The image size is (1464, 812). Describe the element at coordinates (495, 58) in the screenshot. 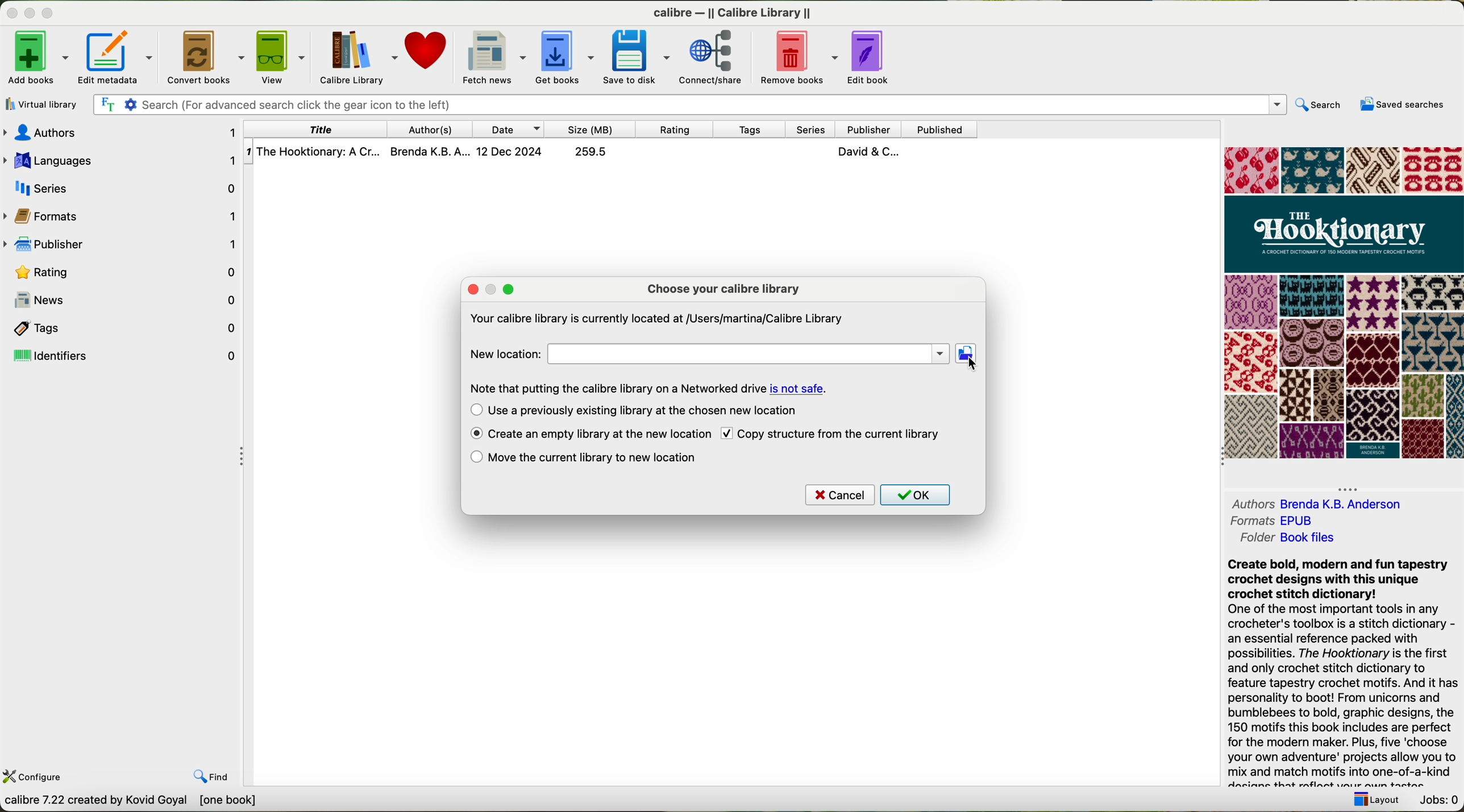

I see `fetch news` at that location.